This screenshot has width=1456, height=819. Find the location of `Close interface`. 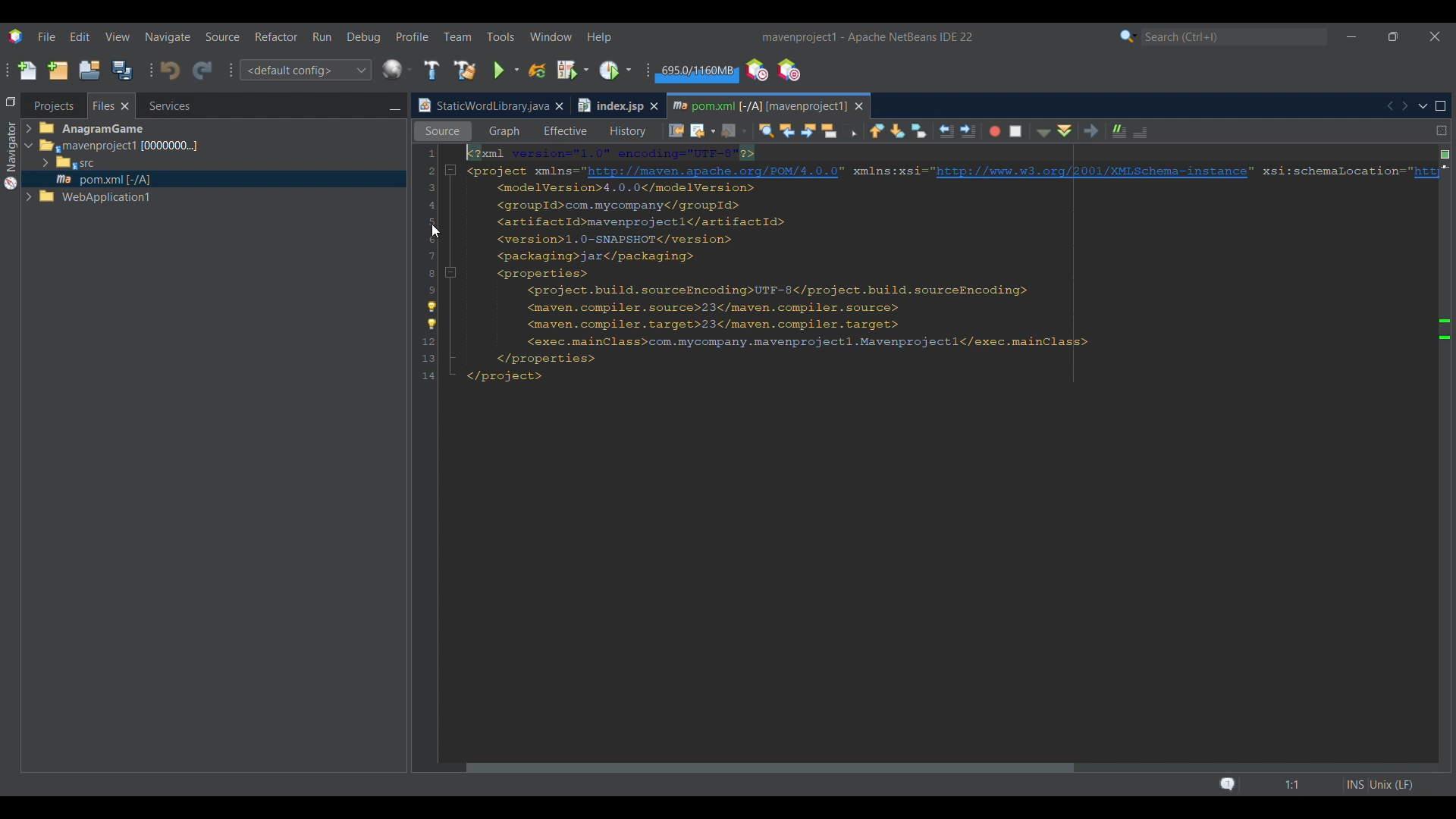

Close interface is located at coordinates (1436, 36).